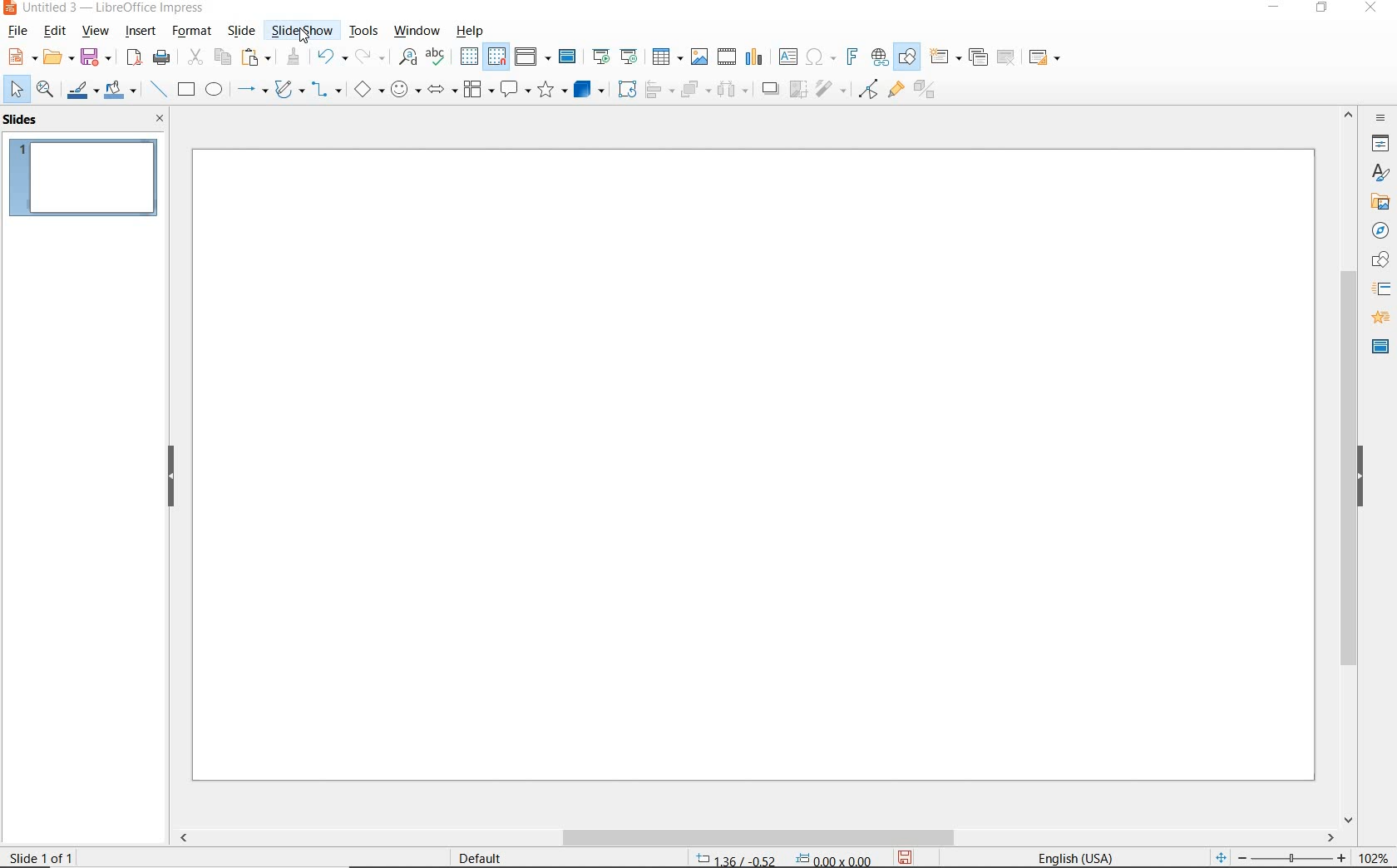 The width and height of the screenshot is (1397, 868). What do you see at coordinates (215, 89) in the screenshot?
I see `ELLIPSE` at bounding box center [215, 89].